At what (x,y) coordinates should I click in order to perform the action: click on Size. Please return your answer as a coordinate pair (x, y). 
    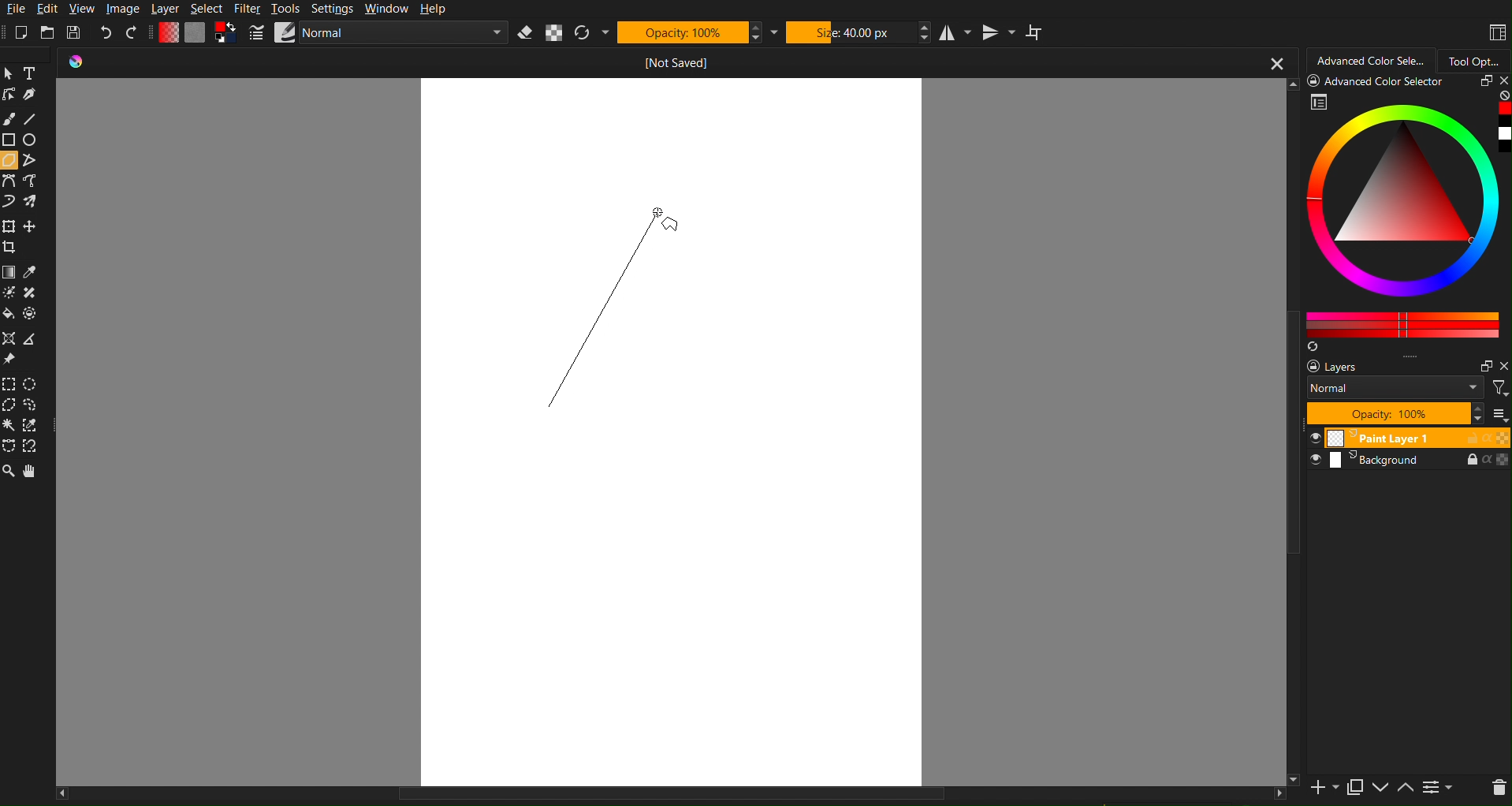
    Looking at the image, I should click on (851, 32).